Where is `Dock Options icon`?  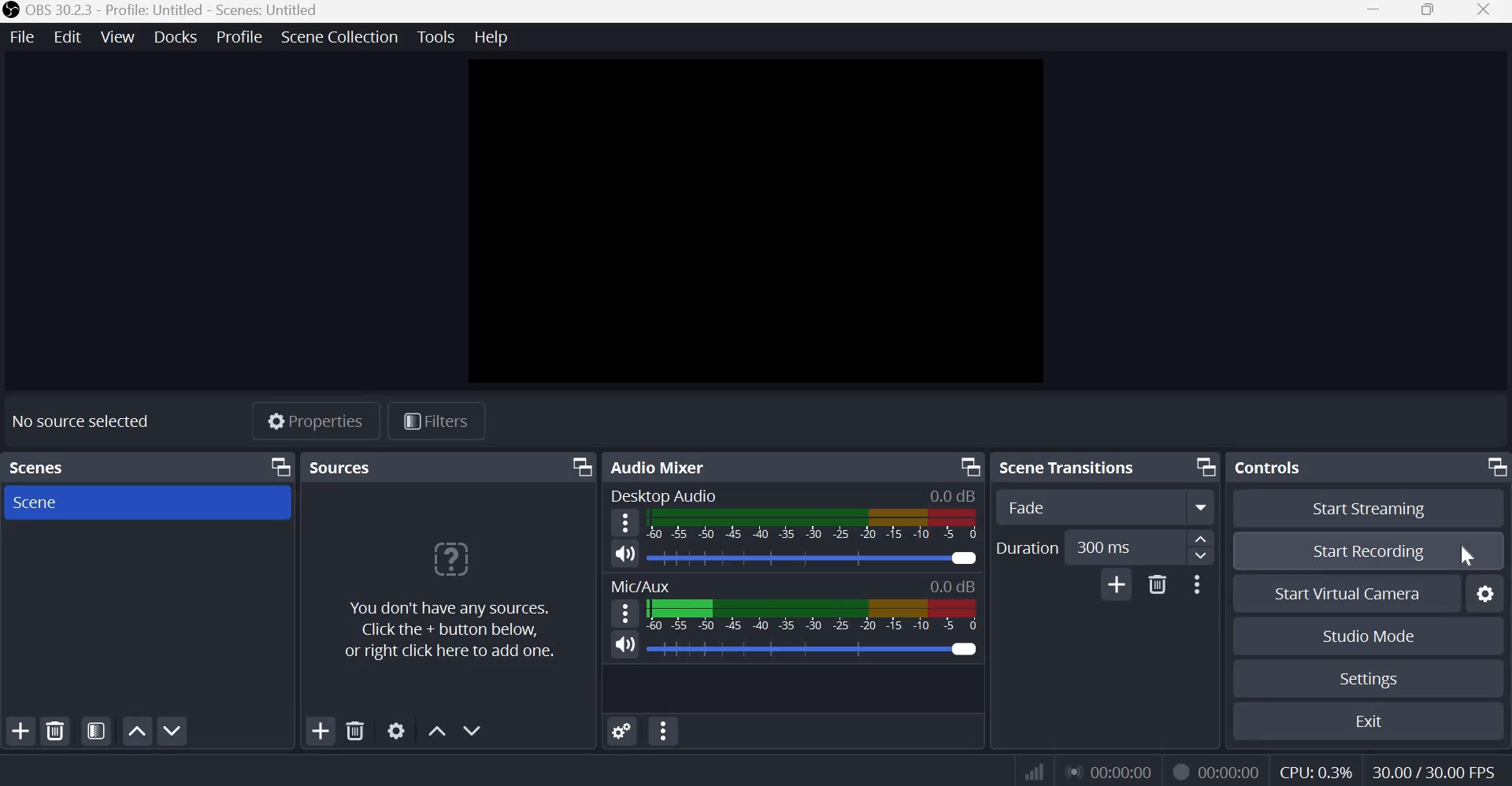
Dock Options icon is located at coordinates (1206, 468).